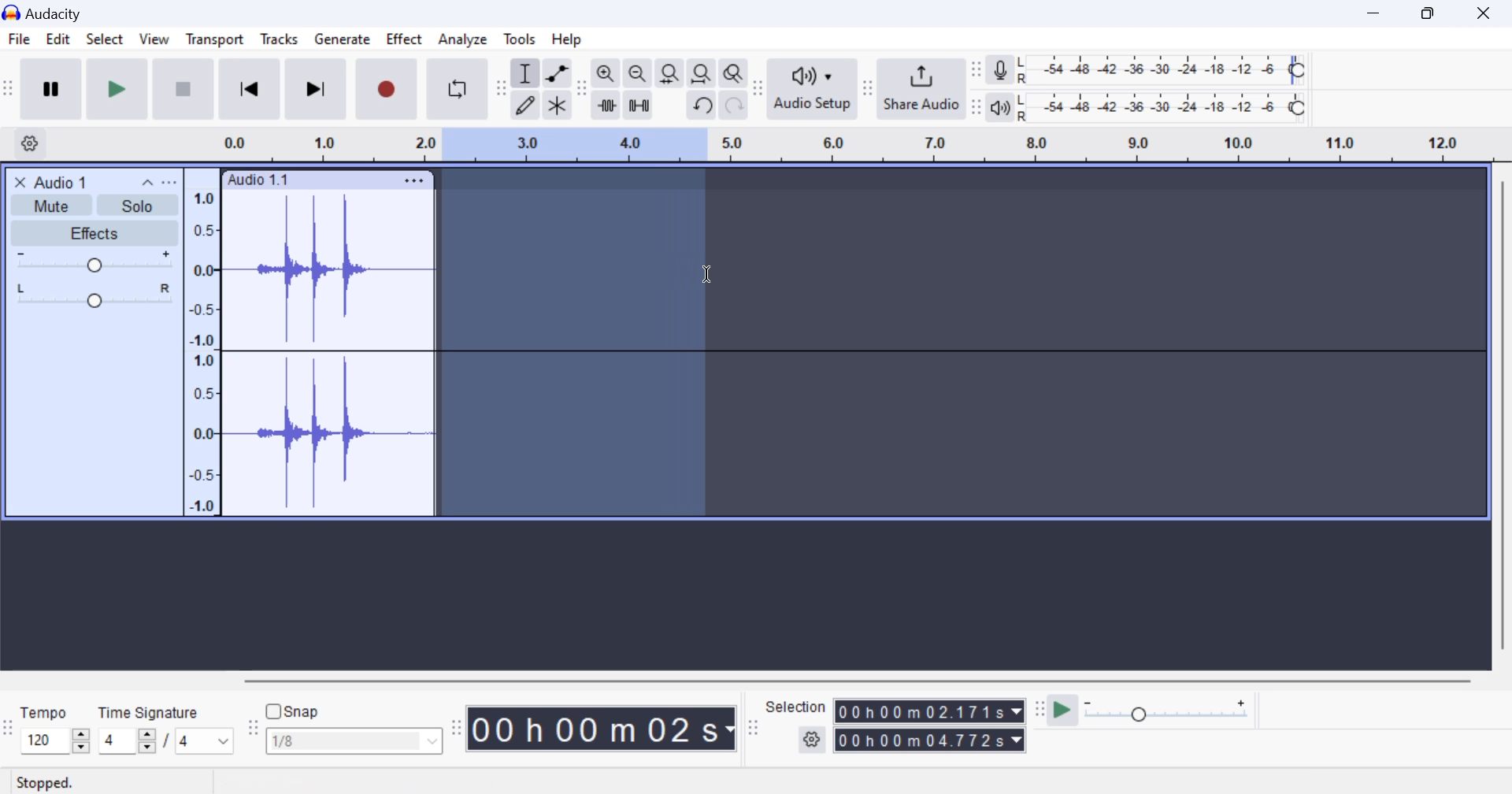  I want to click on Playback Level, so click(1162, 108).